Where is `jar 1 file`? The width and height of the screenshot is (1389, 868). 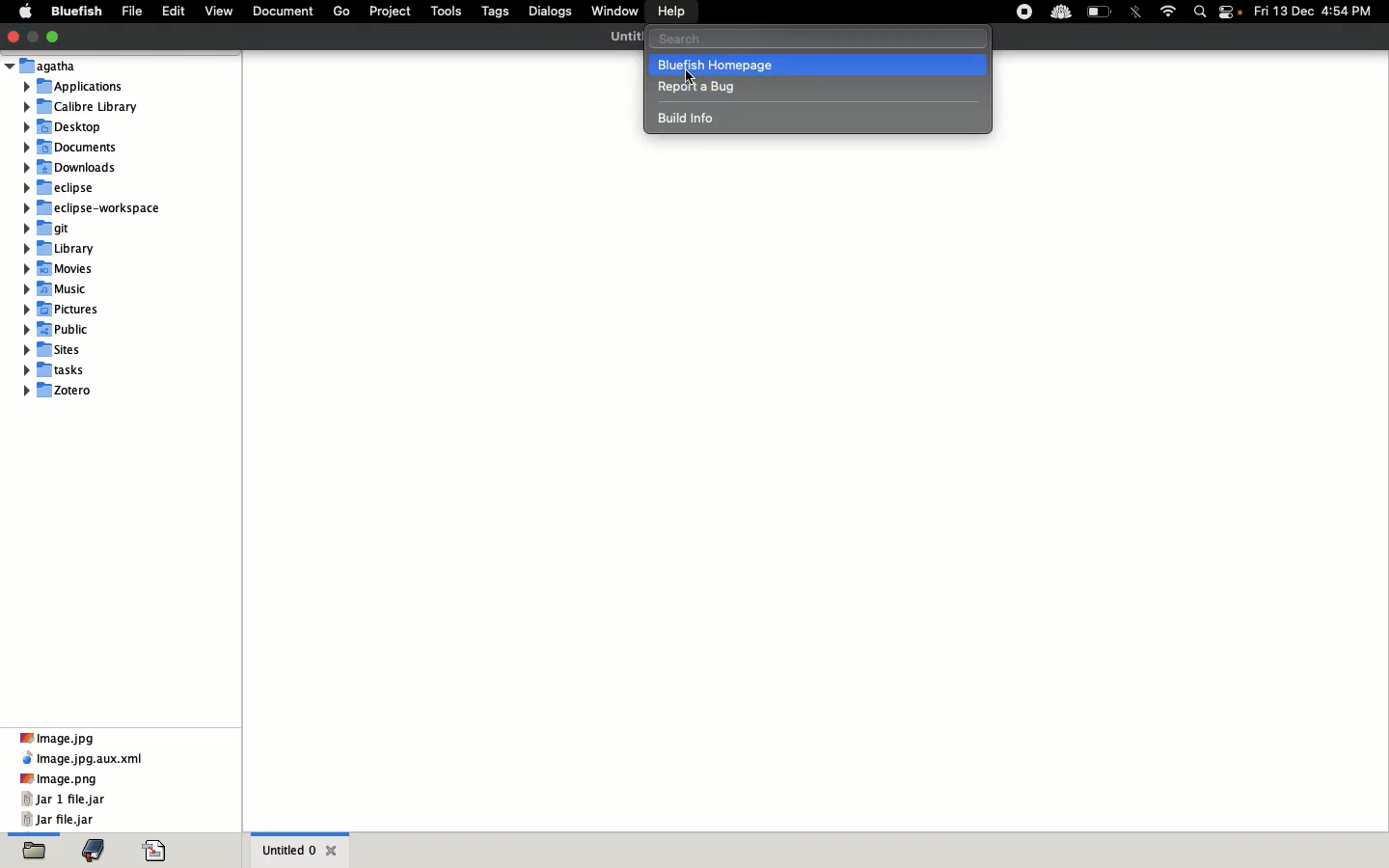 jar 1 file is located at coordinates (65, 800).